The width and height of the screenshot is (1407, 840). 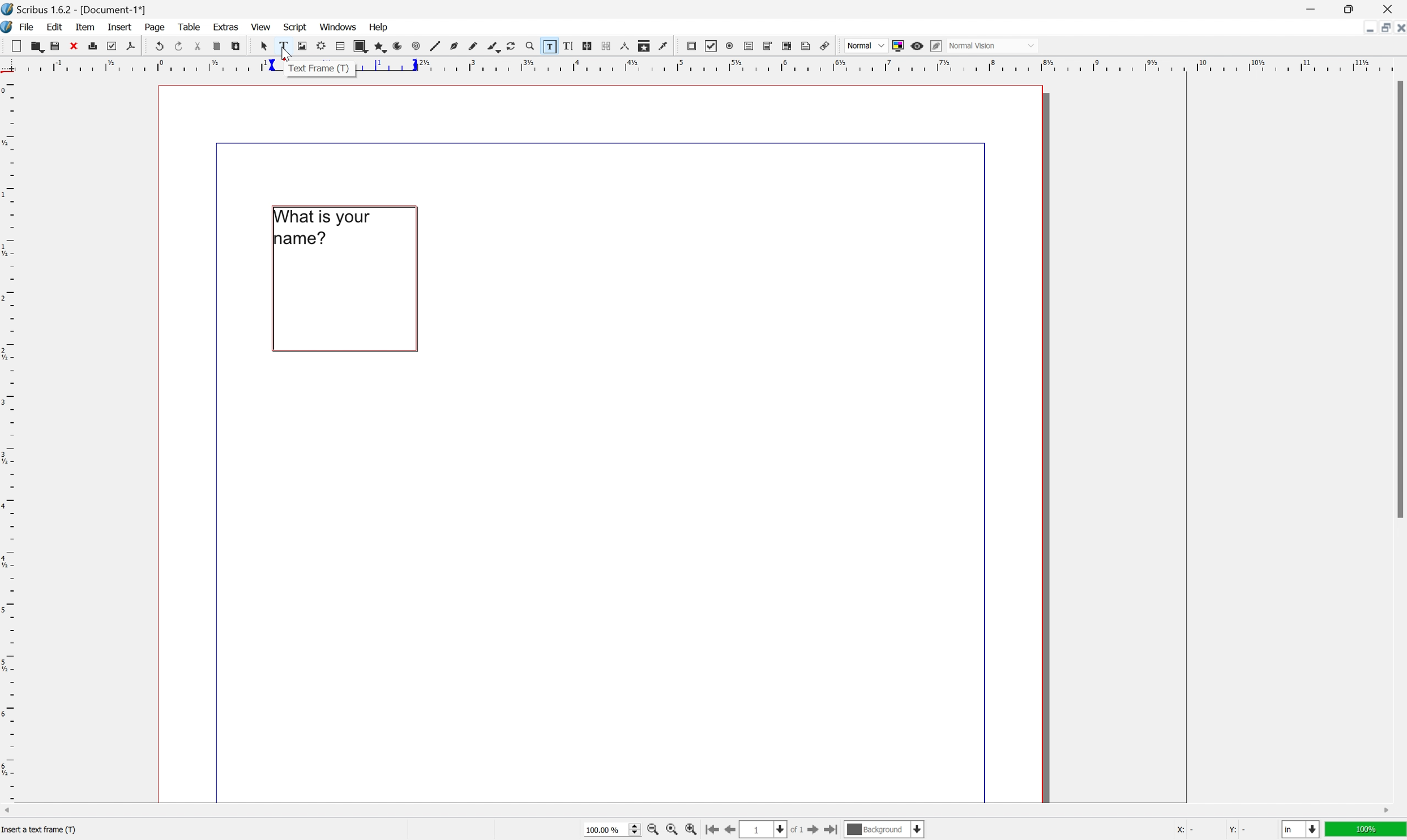 What do you see at coordinates (885, 830) in the screenshot?
I see `select current layer` at bounding box center [885, 830].